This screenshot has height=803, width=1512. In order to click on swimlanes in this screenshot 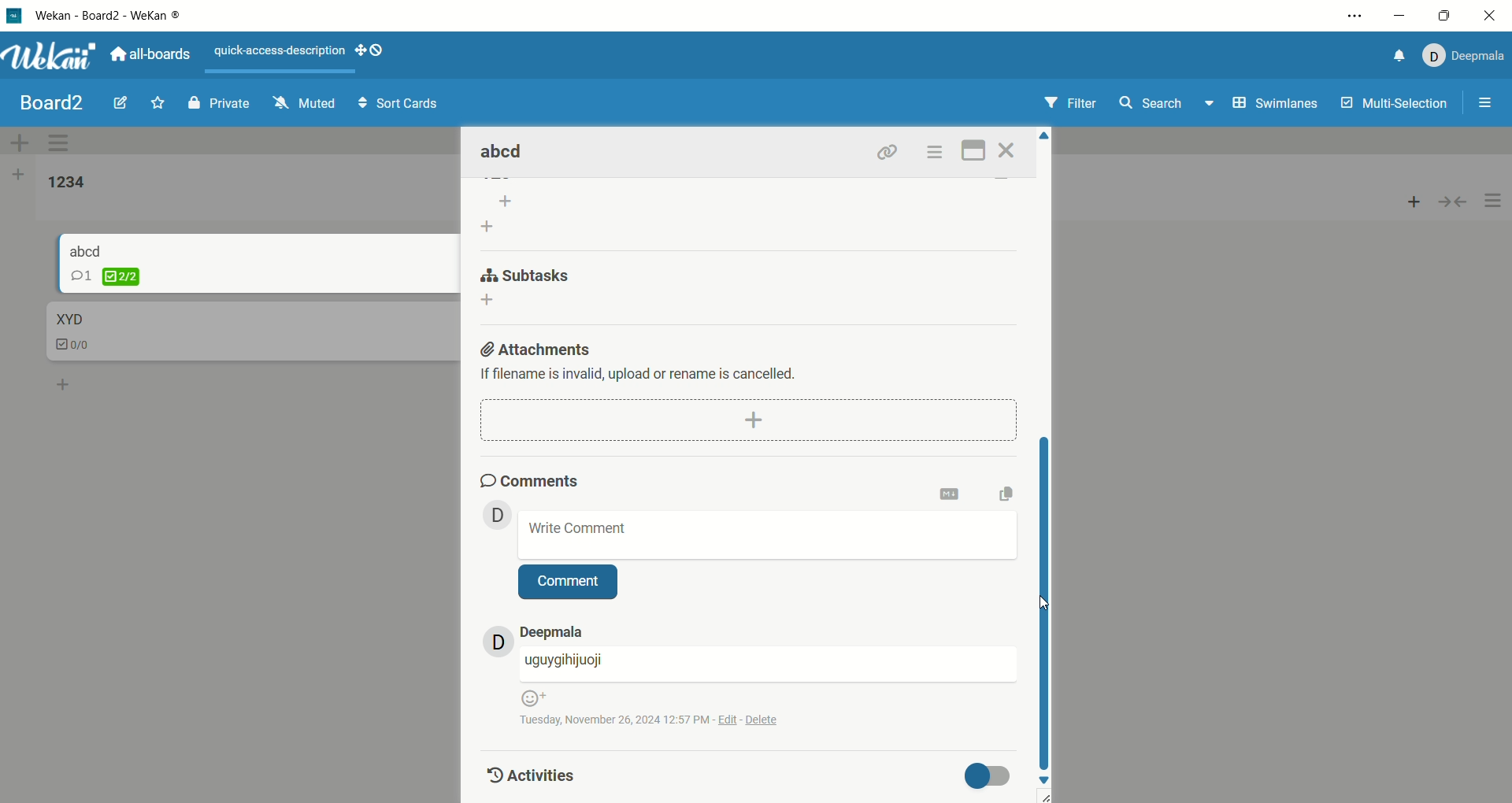, I will do `click(1277, 105)`.